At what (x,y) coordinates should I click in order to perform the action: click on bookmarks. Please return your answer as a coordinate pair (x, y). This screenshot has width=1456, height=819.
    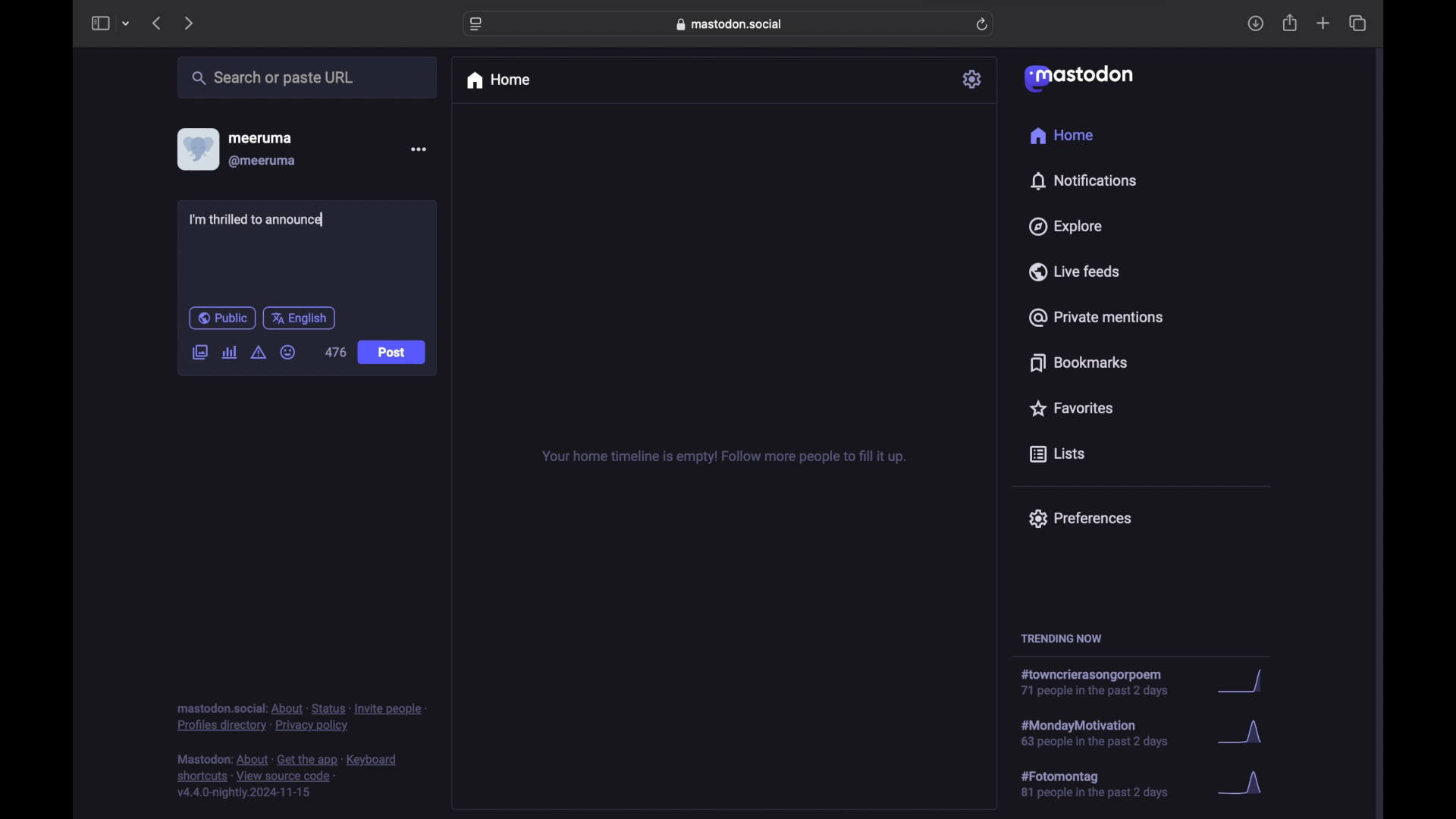
    Looking at the image, I should click on (1081, 362).